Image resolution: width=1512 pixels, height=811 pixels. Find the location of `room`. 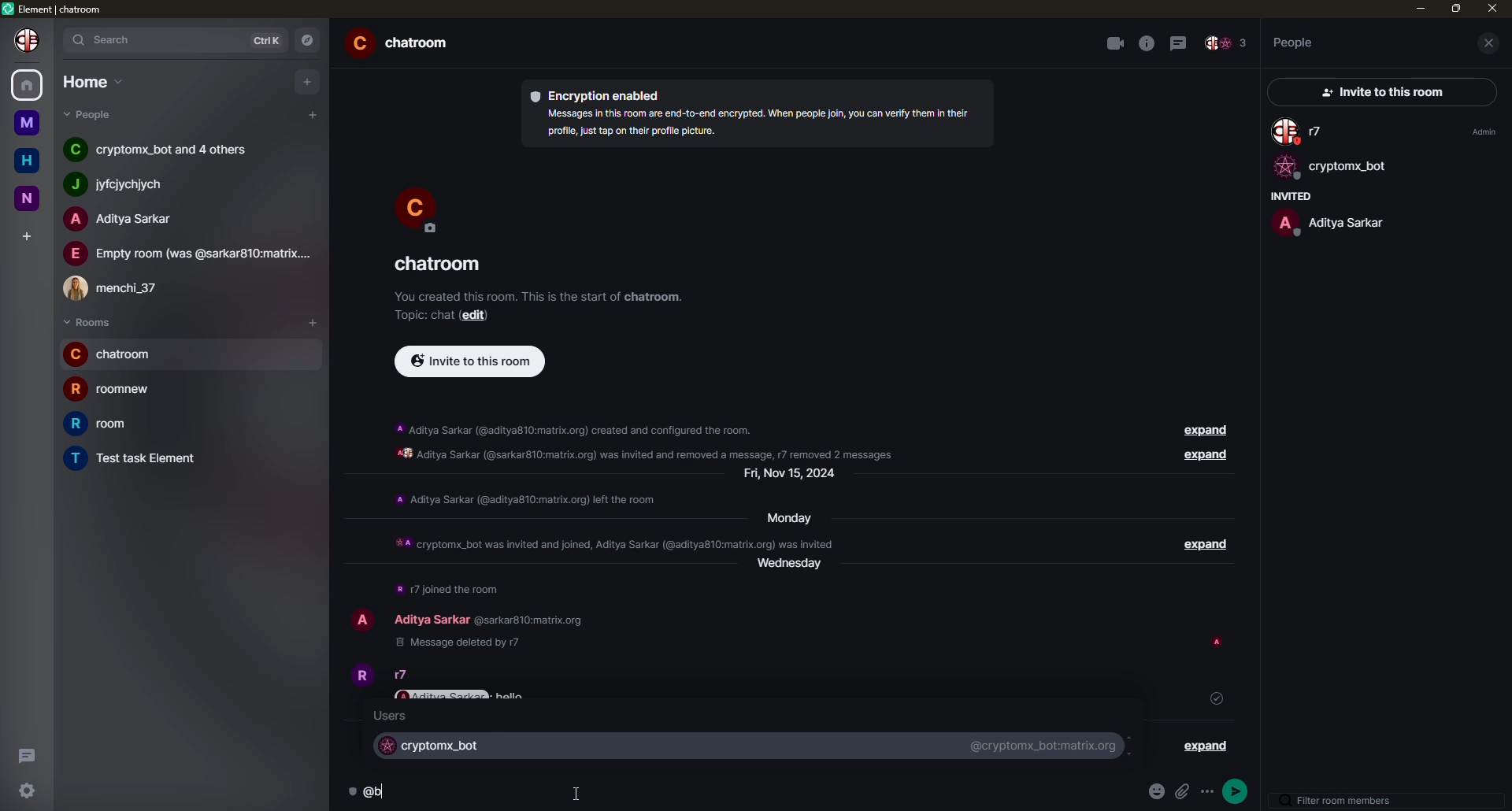

room is located at coordinates (111, 424).